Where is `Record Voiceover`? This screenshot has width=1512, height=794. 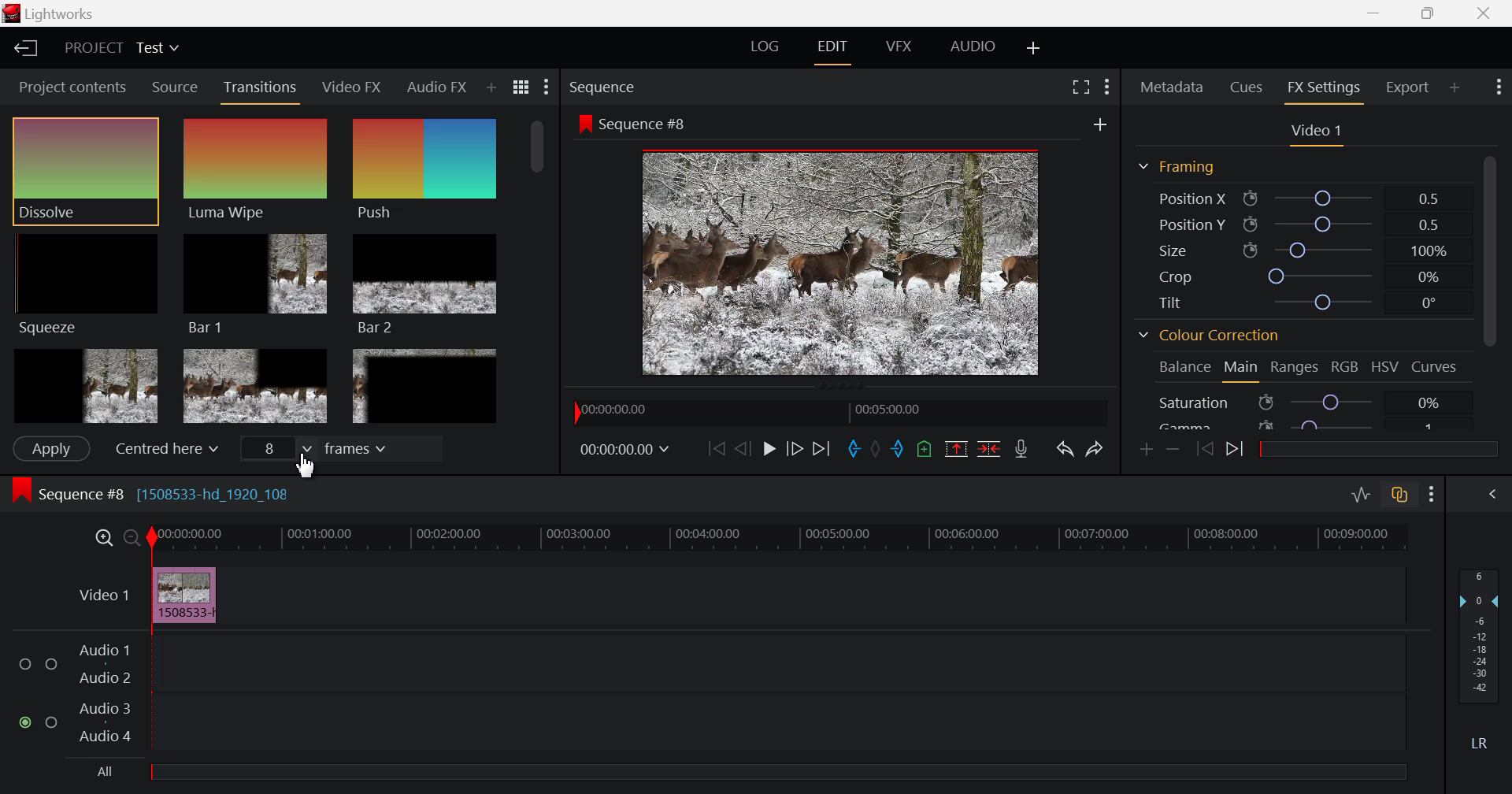 Record Voiceover is located at coordinates (1021, 451).